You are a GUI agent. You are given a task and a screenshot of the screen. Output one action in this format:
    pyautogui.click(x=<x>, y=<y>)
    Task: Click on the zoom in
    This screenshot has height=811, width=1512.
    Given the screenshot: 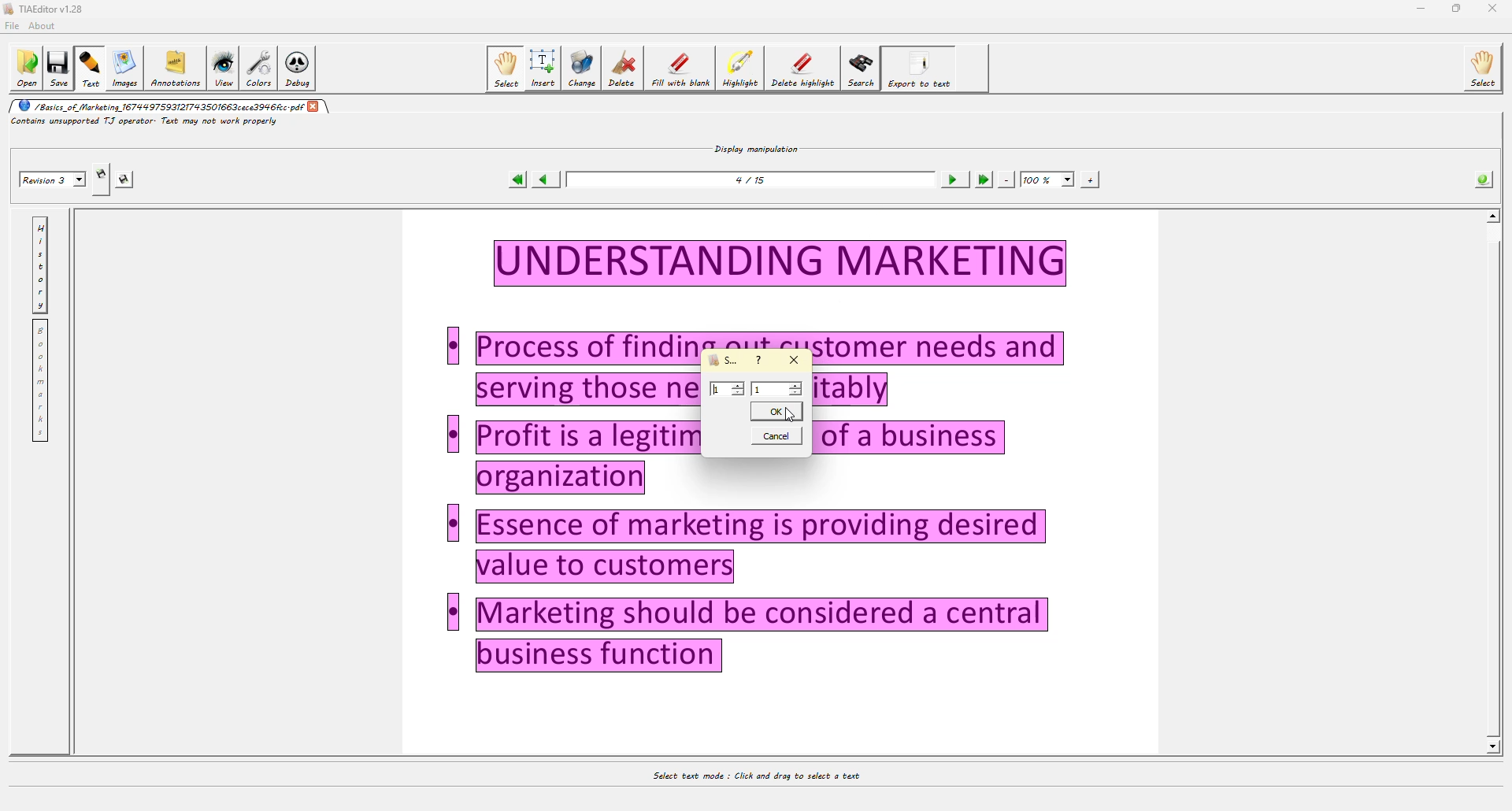 What is the action you would take?
    pyautogui.click(x=1090, y=179)
    